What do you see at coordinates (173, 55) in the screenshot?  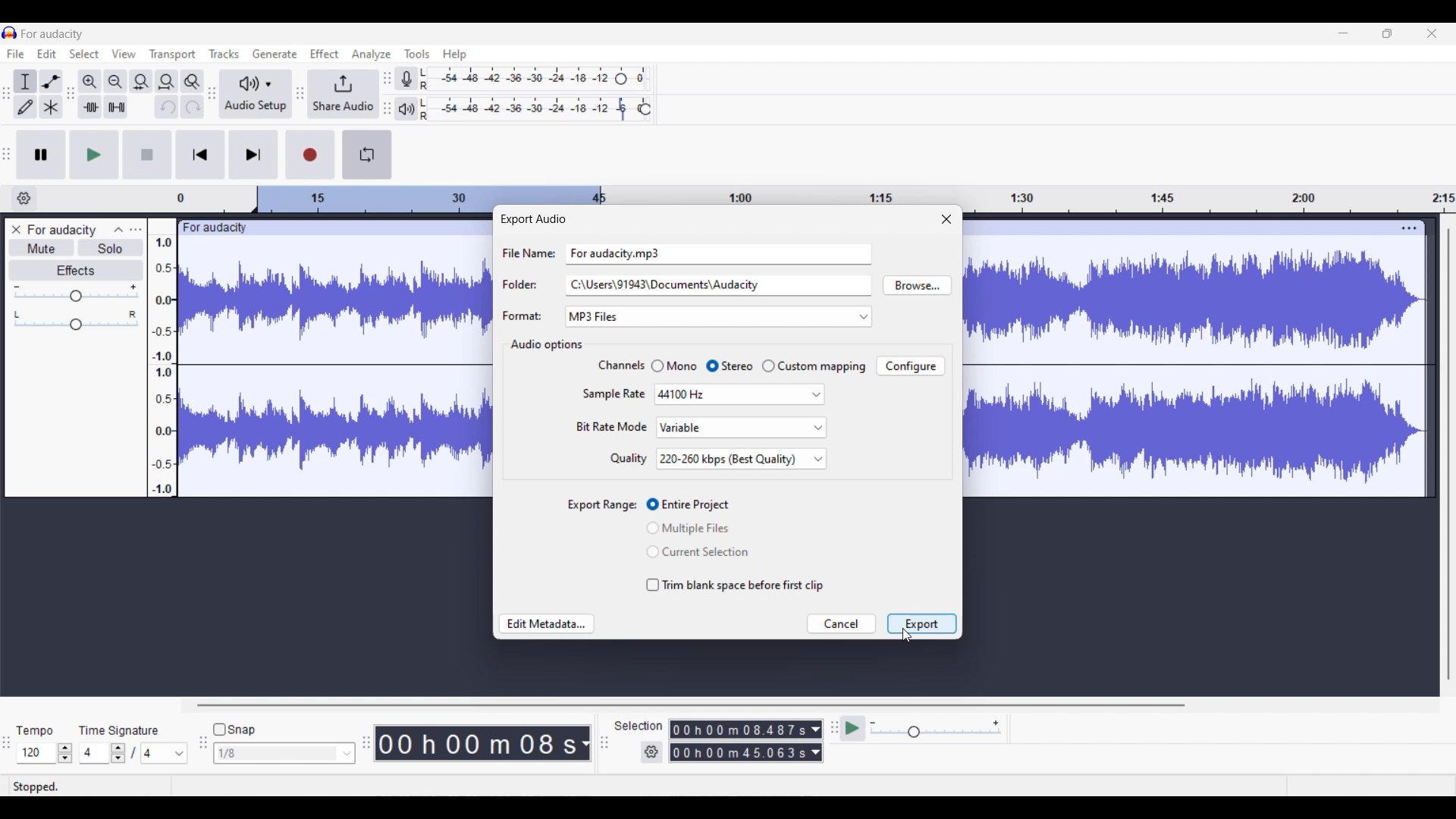 I see `Transport menu` at bounding box center [173, 55].